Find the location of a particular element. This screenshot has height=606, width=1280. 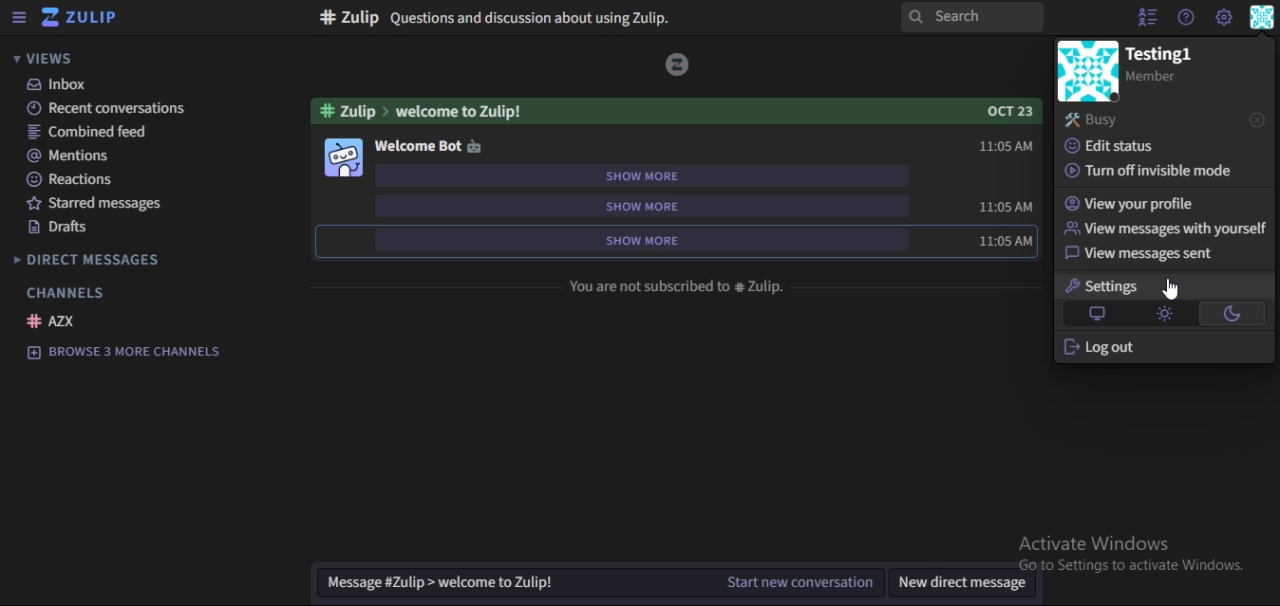

view your profile is located at coordinates (1136, 203).